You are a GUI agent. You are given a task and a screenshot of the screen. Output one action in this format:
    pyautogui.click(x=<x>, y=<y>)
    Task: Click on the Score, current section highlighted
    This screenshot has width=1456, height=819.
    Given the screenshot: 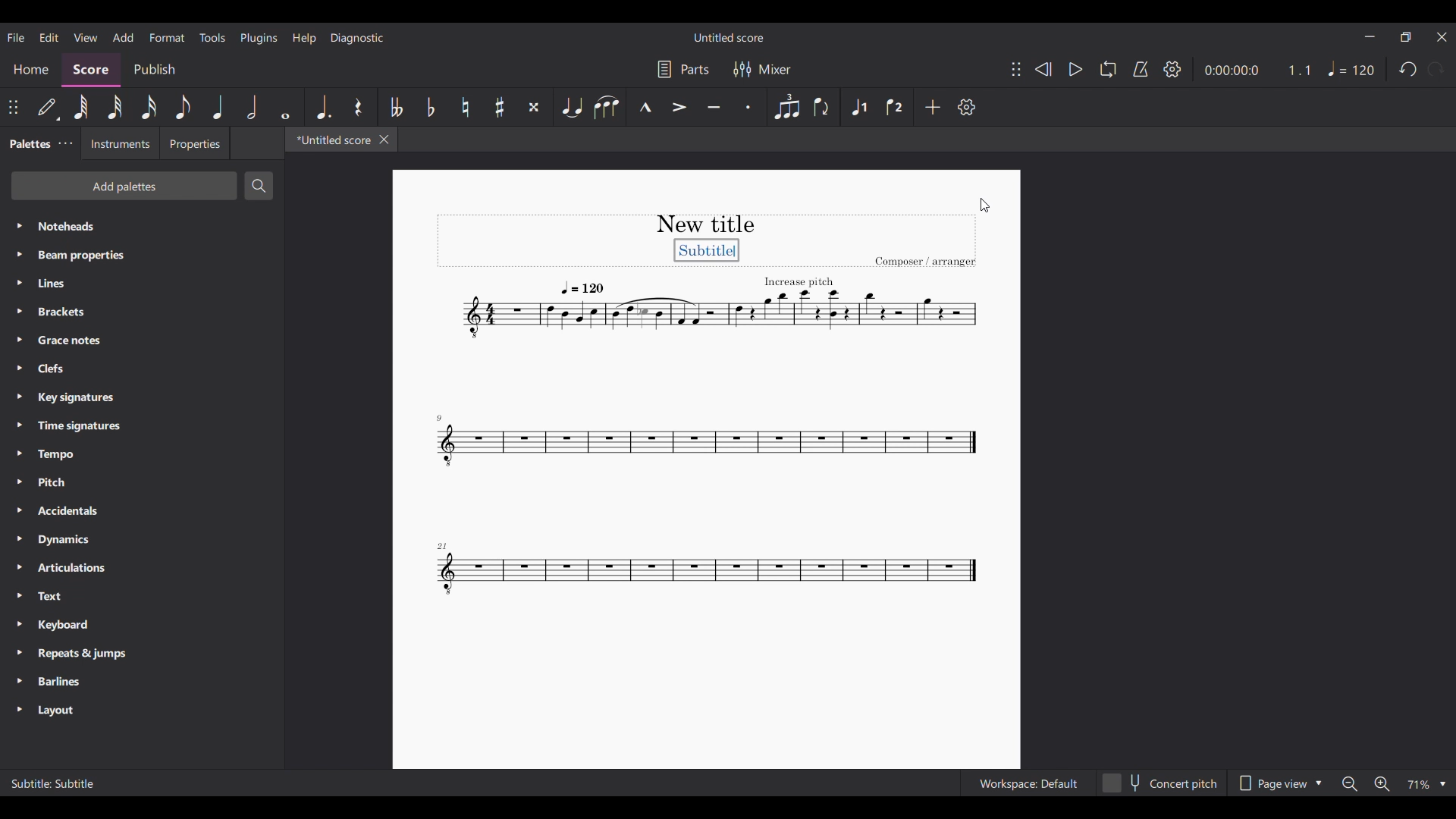 What is the action you would take?
    pyautogui.click(x=91, y=70)
    